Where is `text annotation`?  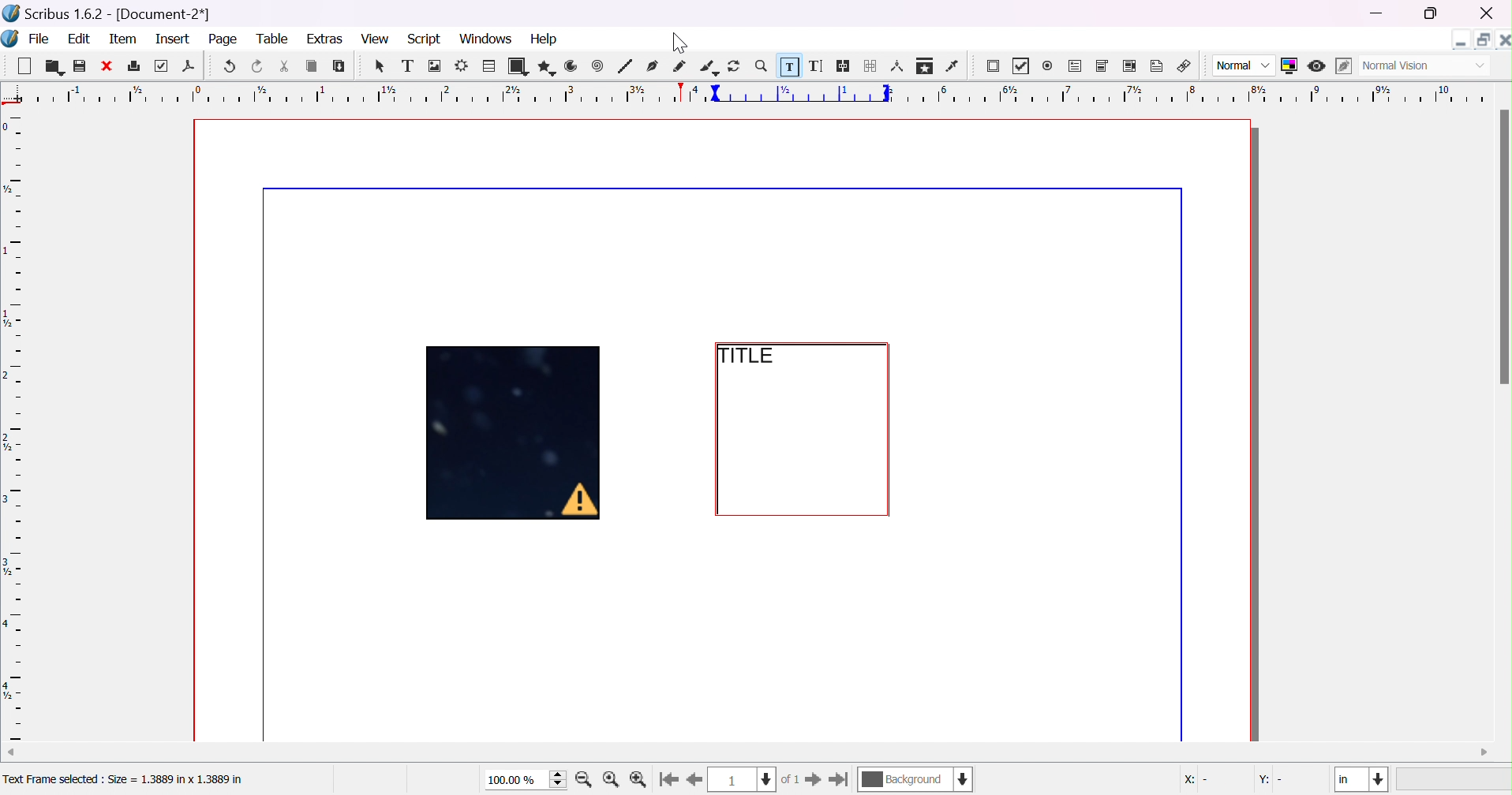 text annotation is located at coordinates (1158, 64).